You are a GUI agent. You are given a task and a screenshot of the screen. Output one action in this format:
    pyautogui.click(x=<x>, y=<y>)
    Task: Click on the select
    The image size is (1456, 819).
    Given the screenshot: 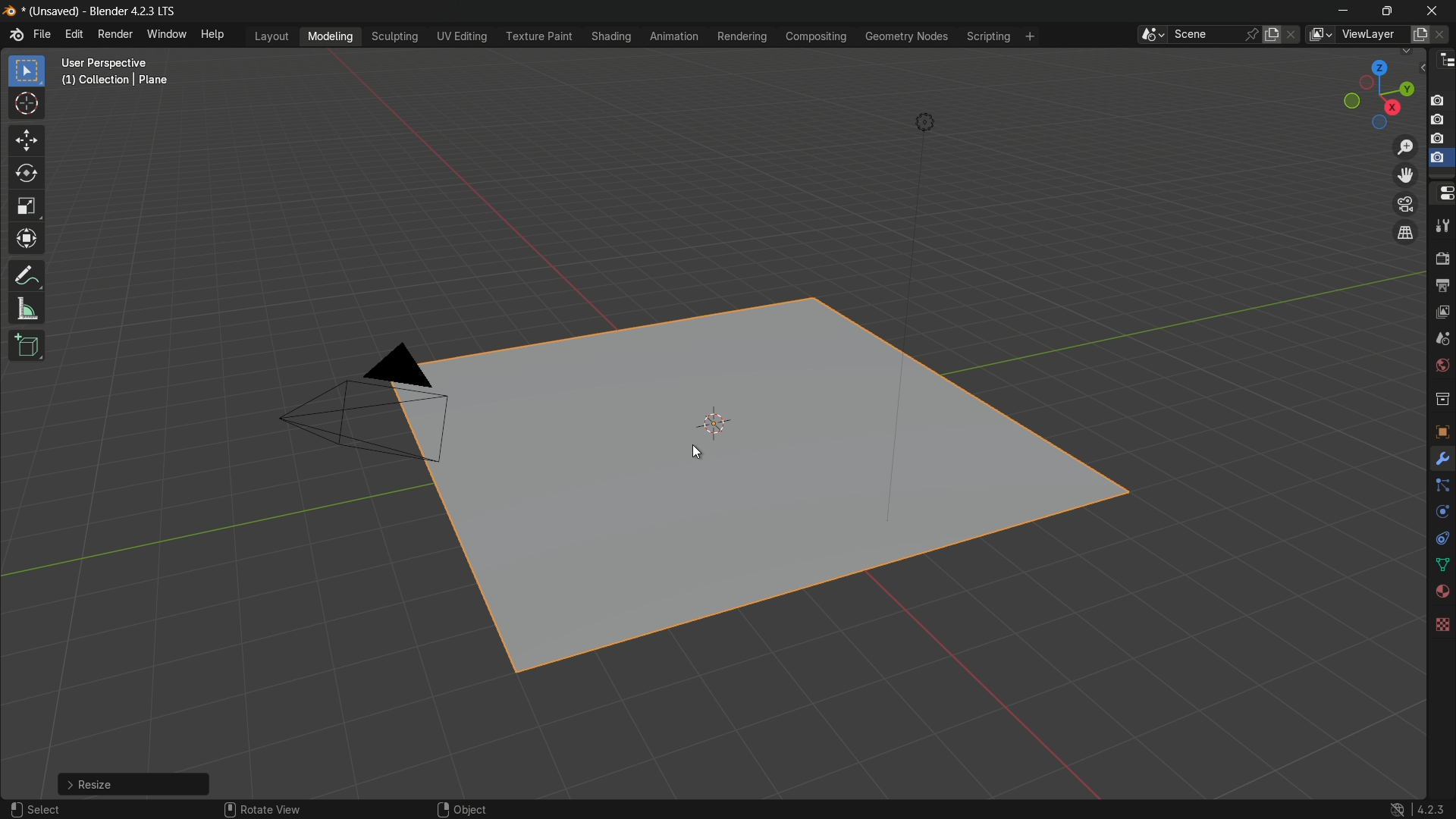 What is the action you would take?
    pyautogui.click(x=35, y=810)
    